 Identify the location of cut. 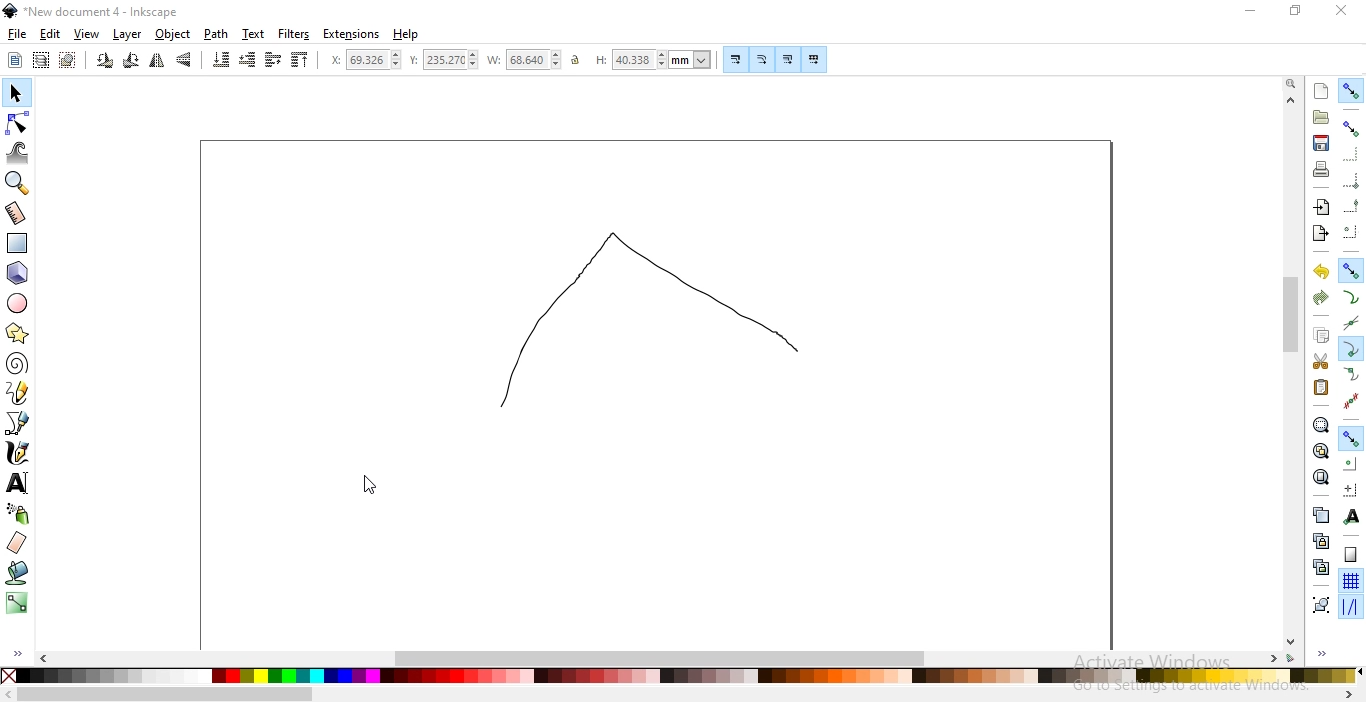
(1320, 362).